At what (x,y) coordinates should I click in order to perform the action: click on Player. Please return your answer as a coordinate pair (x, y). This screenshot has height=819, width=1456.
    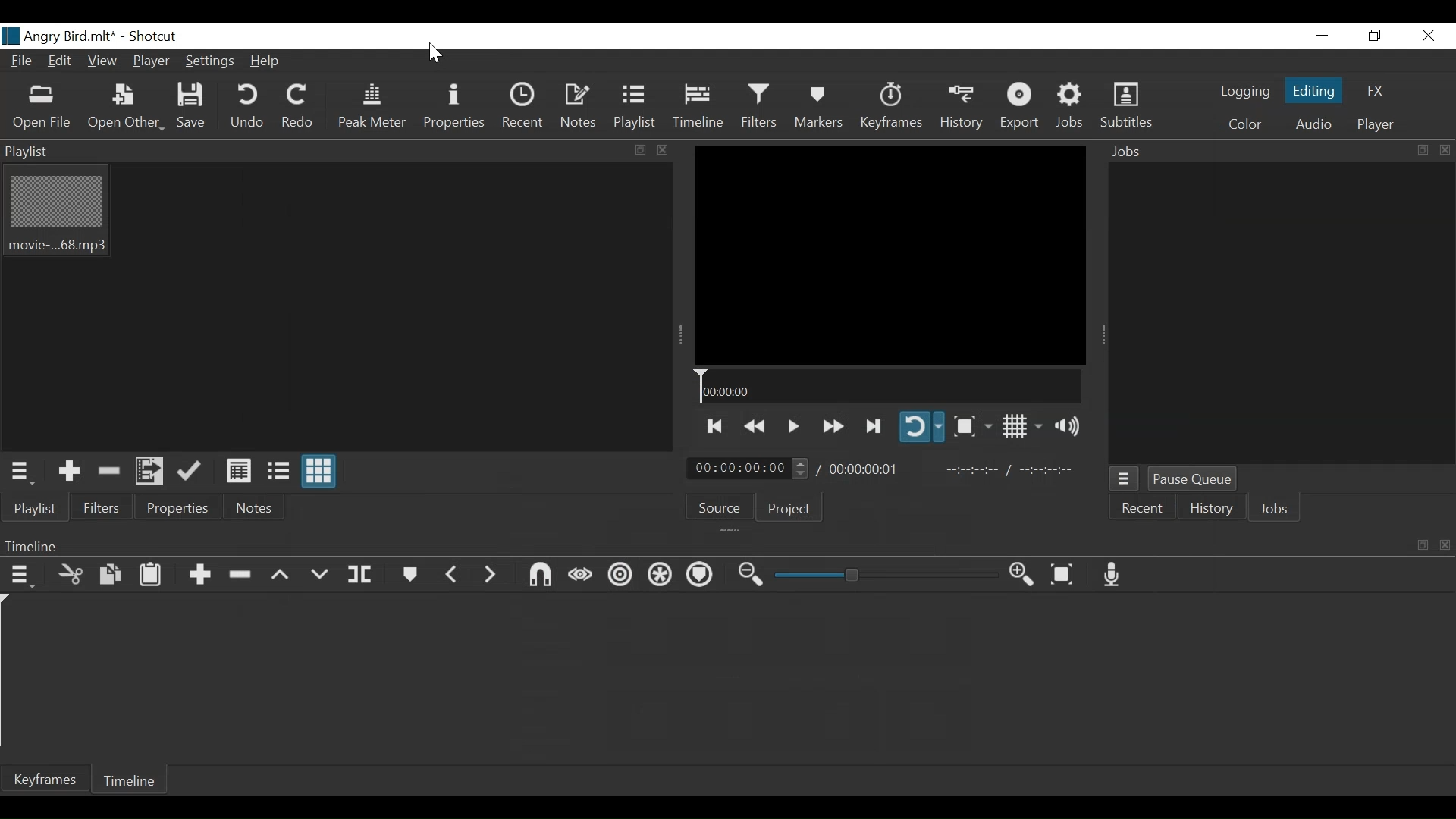
    Looking at the image, I should click on (149, 63).